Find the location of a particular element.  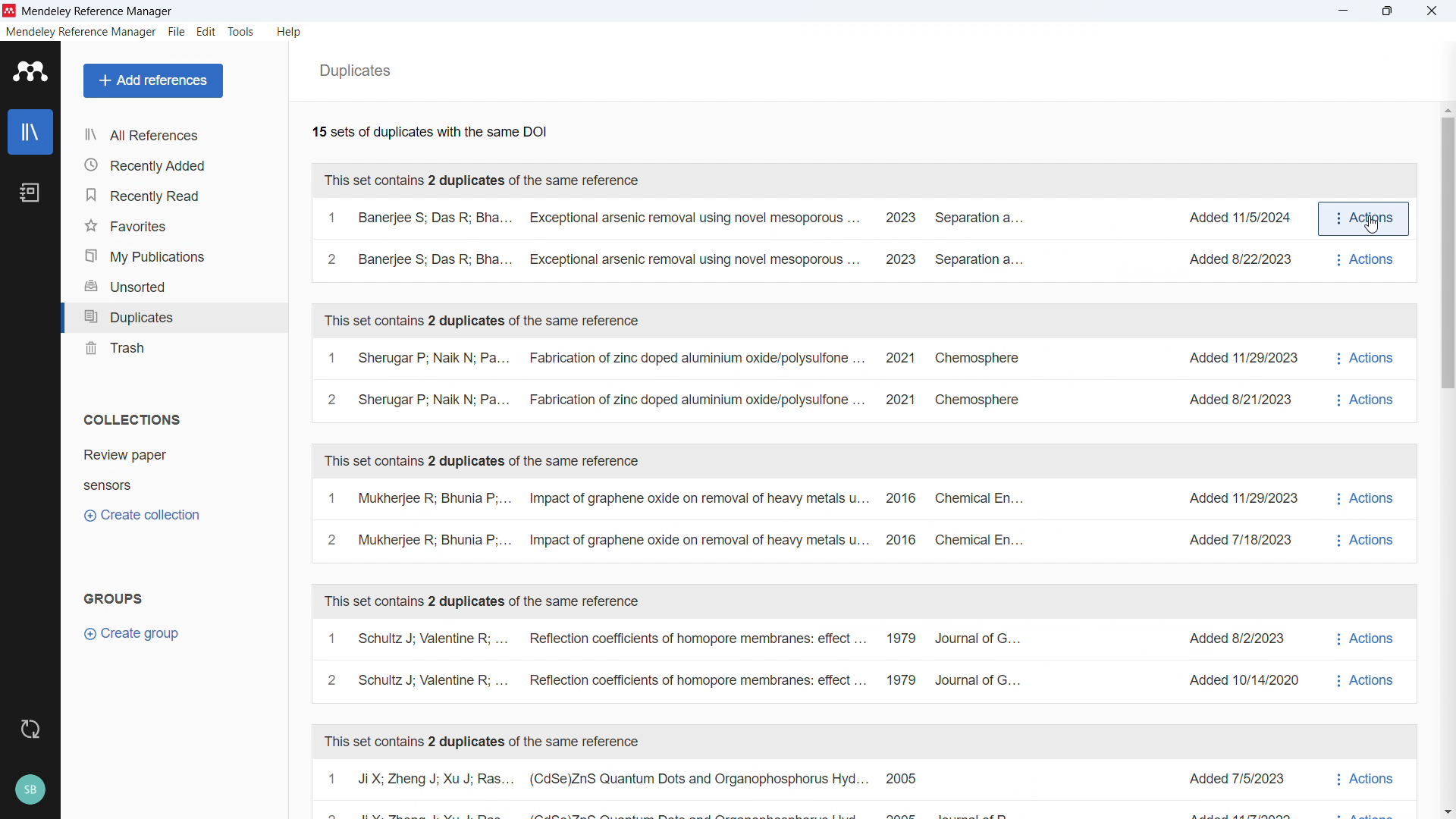

Favourites  is located at coordinates (173, 224).